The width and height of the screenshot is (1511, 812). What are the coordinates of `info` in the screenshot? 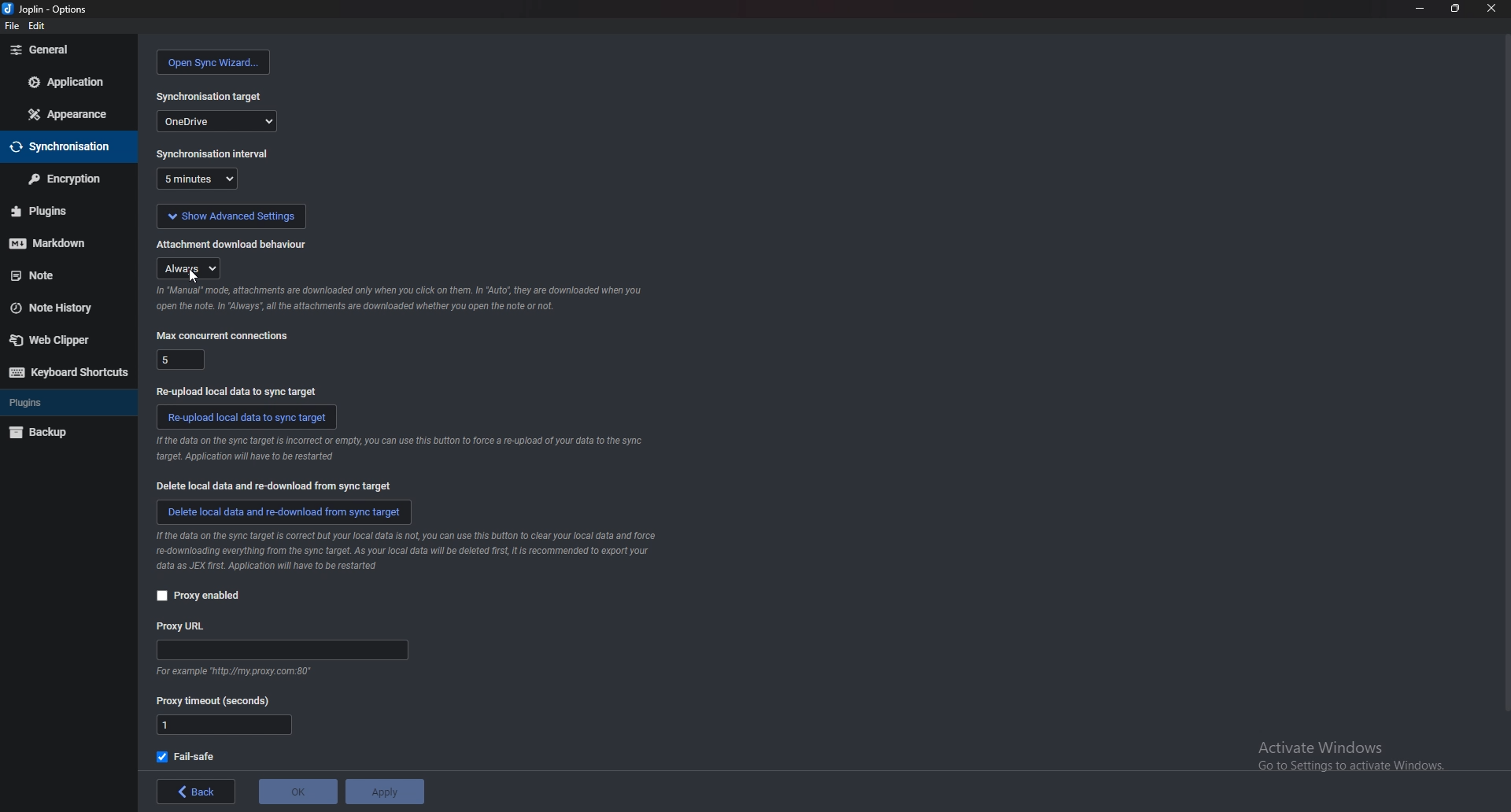 It's located at (407, 553).